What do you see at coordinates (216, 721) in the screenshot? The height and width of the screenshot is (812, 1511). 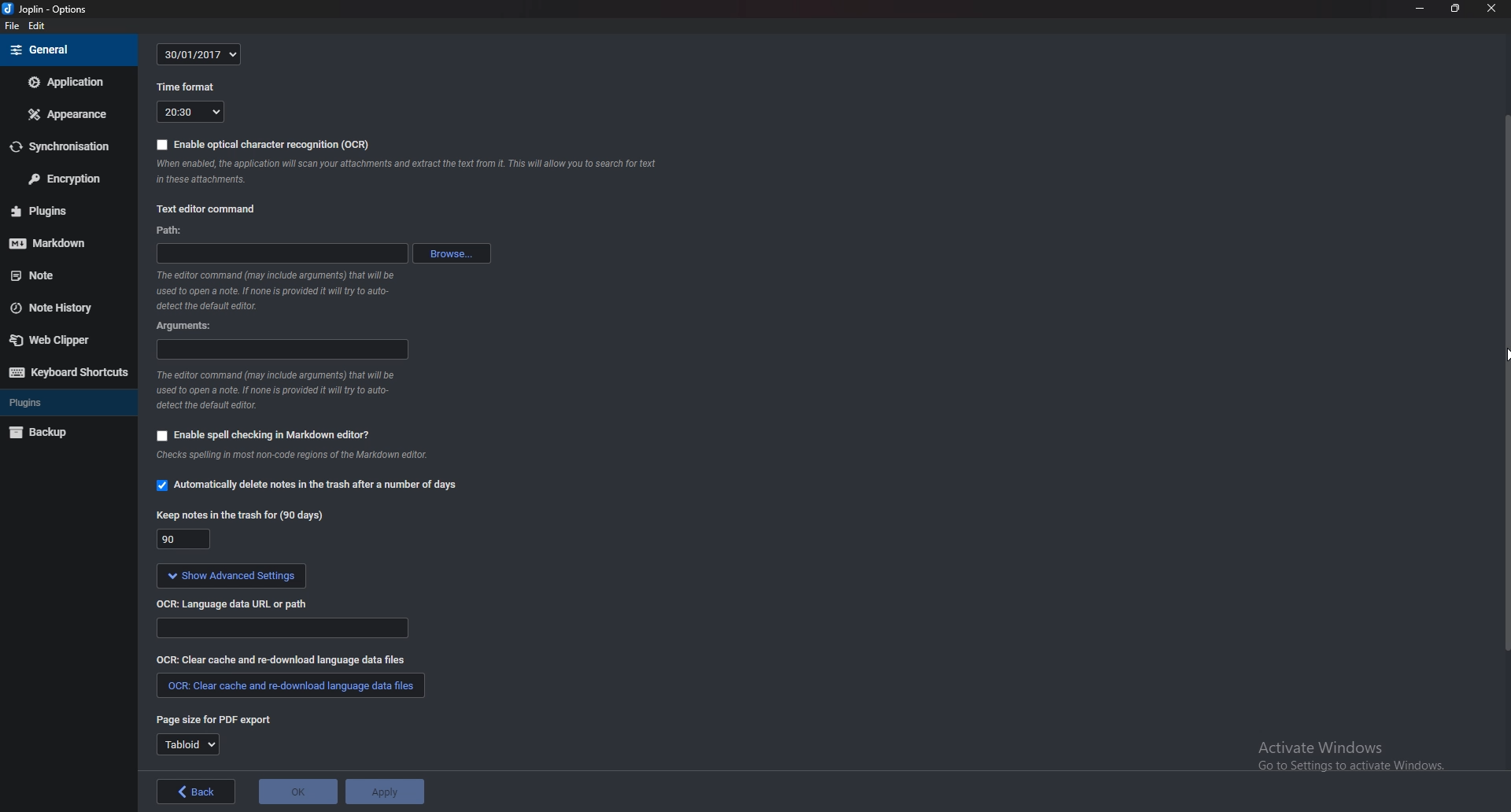 I see `page size for P D F export` at bounding box center [216, 721].